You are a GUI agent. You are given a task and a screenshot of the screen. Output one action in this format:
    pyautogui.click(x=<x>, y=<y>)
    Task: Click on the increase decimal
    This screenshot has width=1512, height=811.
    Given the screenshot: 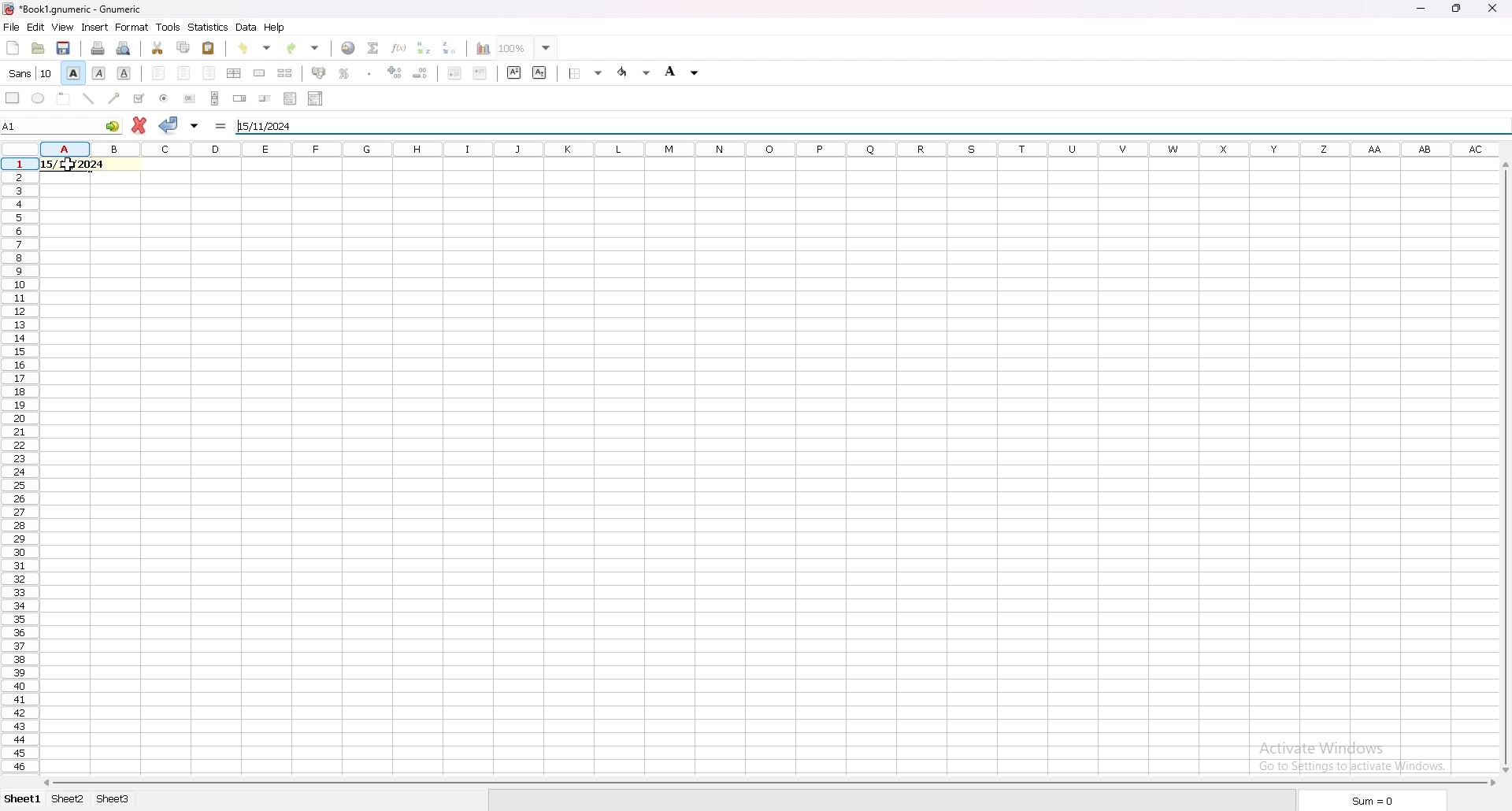 What is the action you would take?
    pyautogui.click(x=394, y=72)
    